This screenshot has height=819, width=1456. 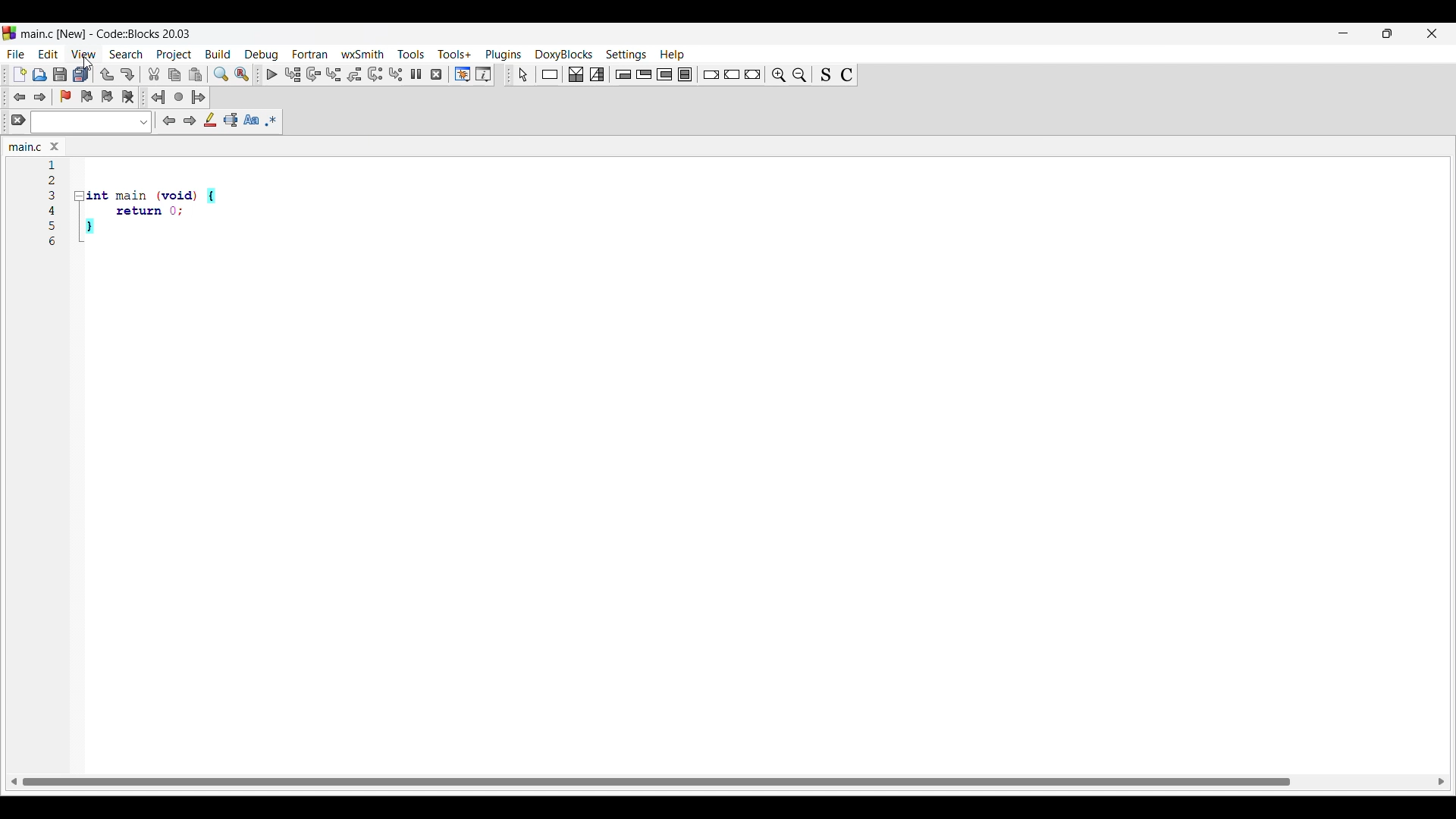 I want to click on Match case, so click(x=251, y=120).